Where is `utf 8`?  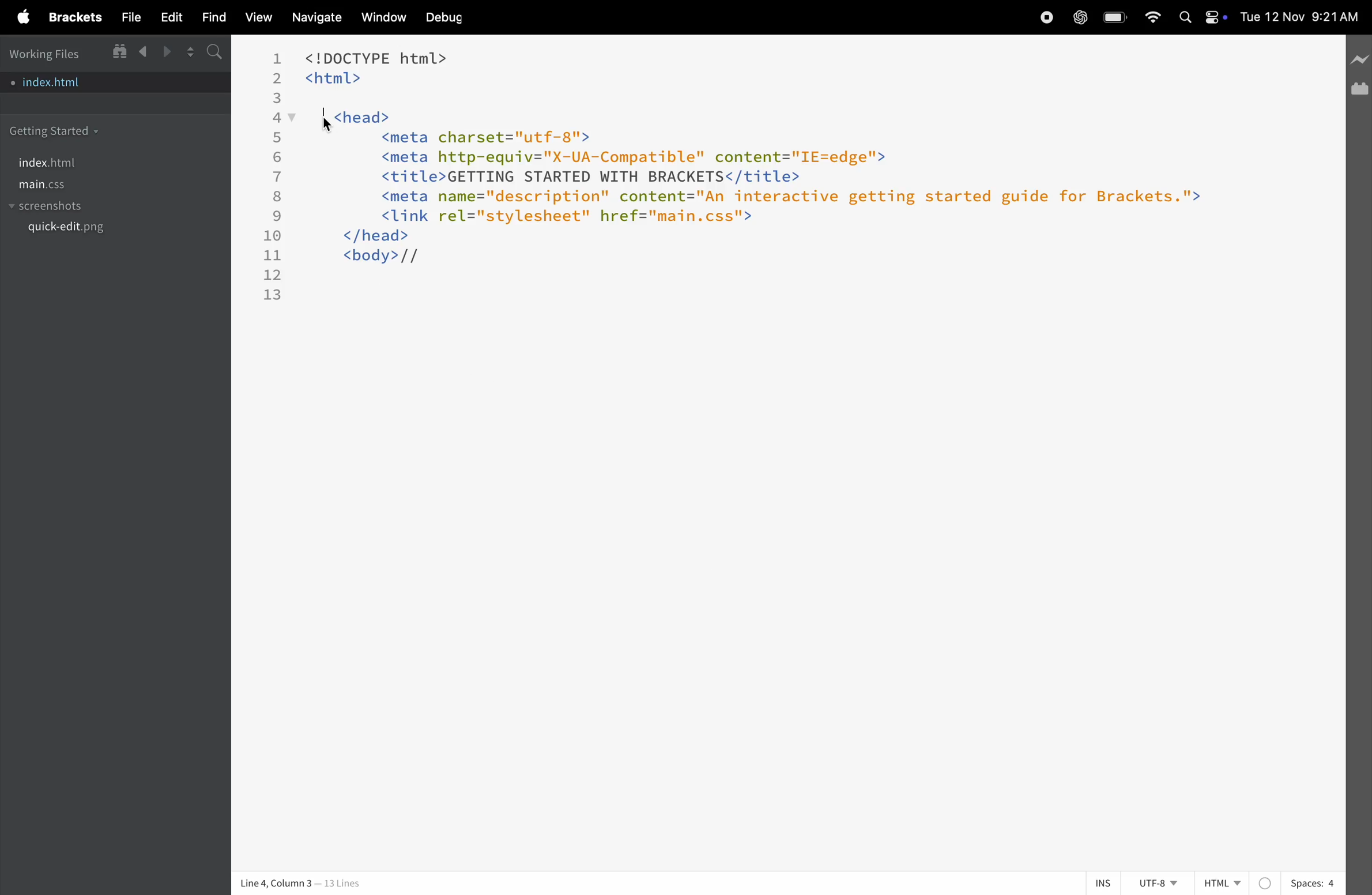
utf 8 is located at coordinates (1151, 883).